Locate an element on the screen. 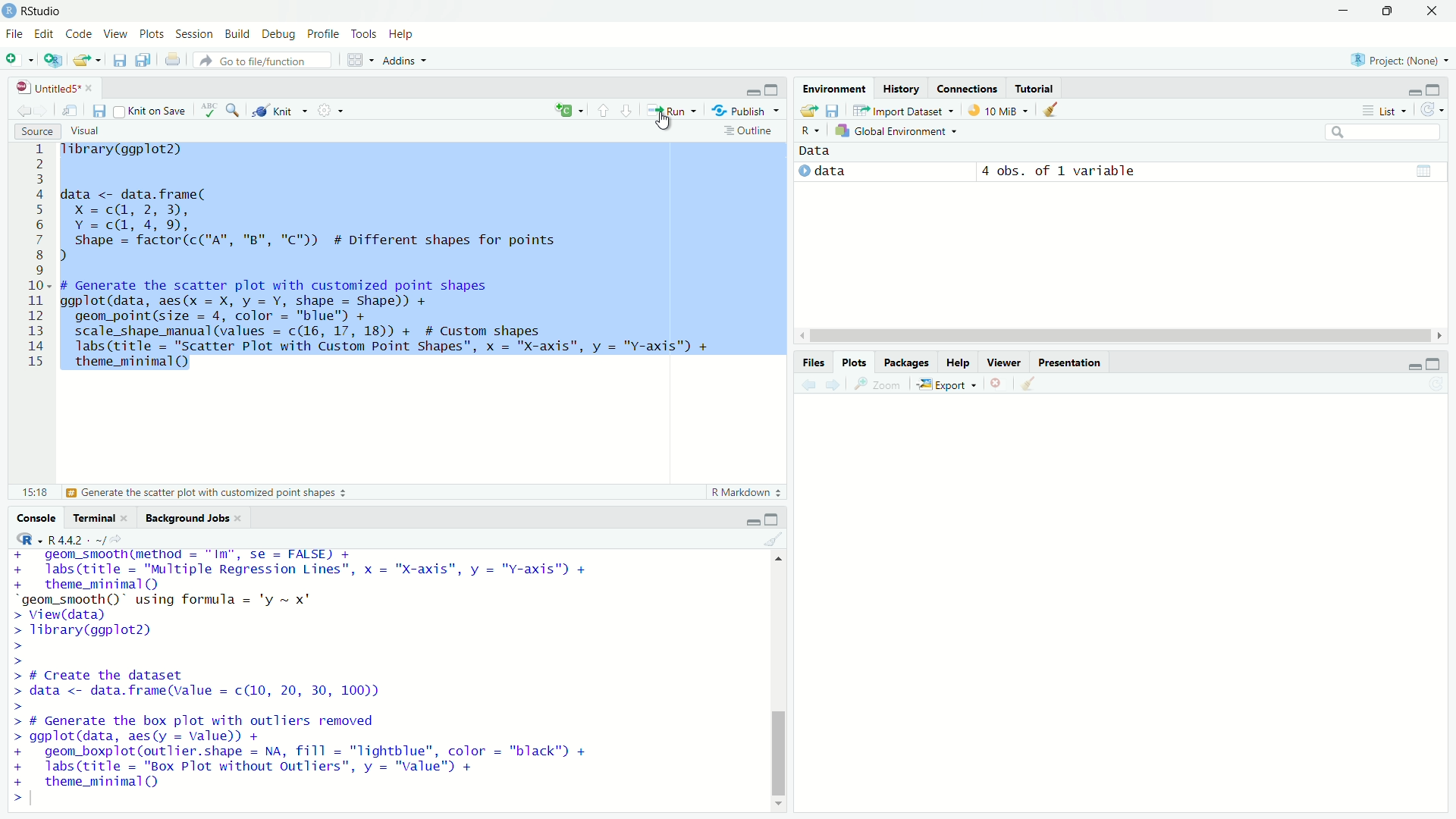  close is located at coordinates (124, 518).